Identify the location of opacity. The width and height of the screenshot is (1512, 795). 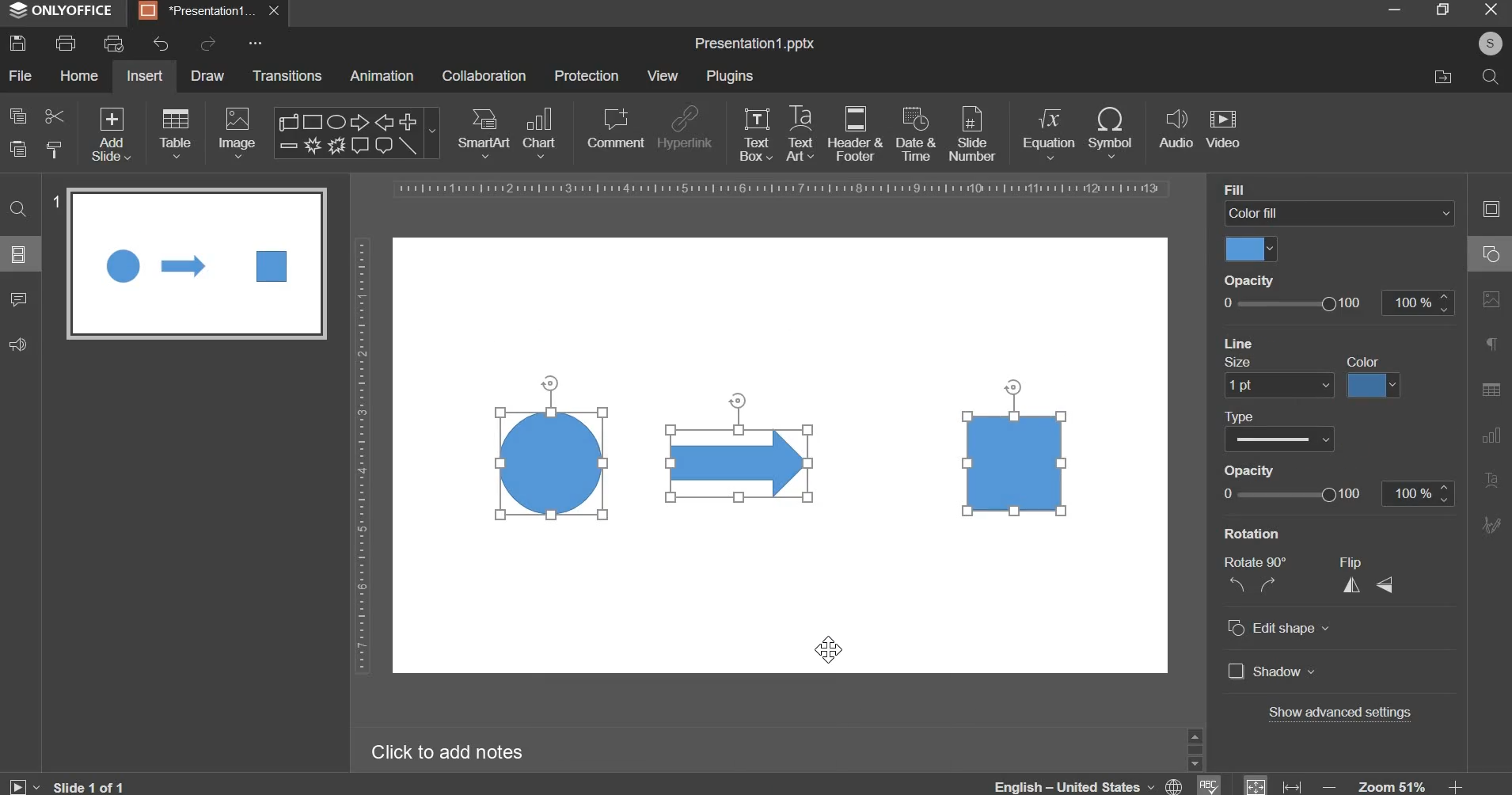
(1334, 493).